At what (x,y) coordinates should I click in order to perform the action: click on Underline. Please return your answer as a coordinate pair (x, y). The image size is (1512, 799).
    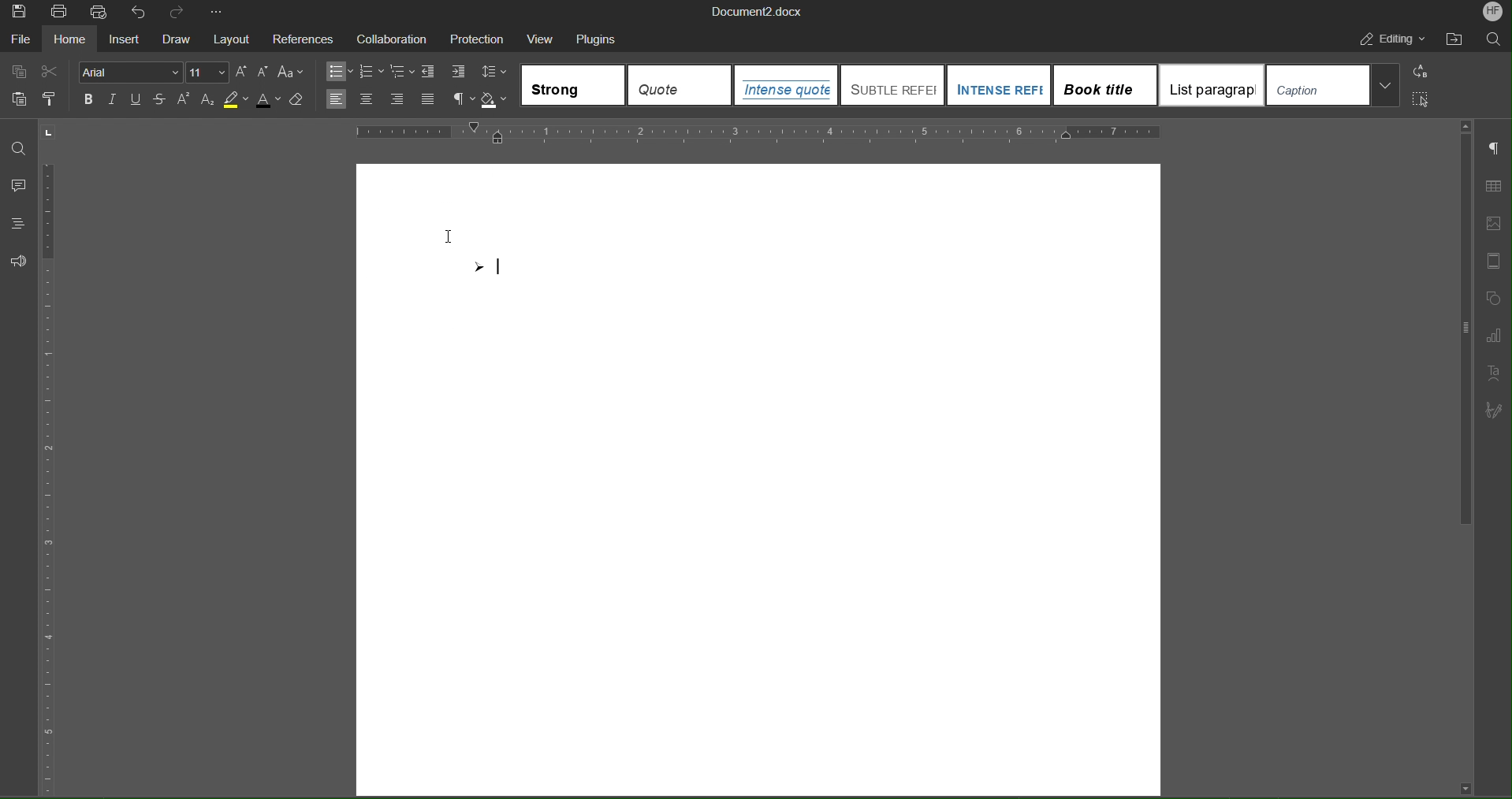
    Looking at the image, I should click on (137, 101).